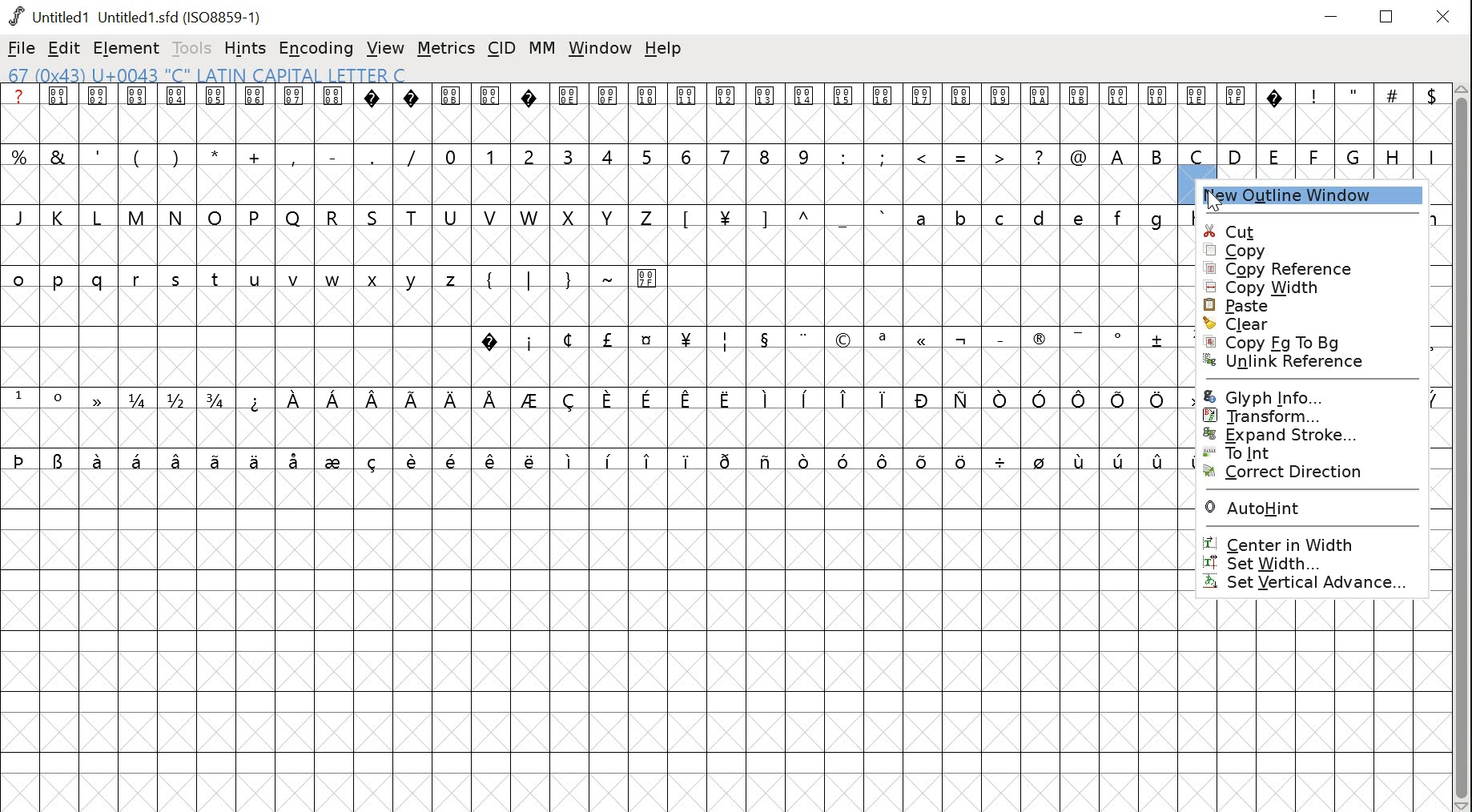  What do you see at coordinates (191, 50) in the screenshot?
I see `tools` at bounding box center [191, 50].